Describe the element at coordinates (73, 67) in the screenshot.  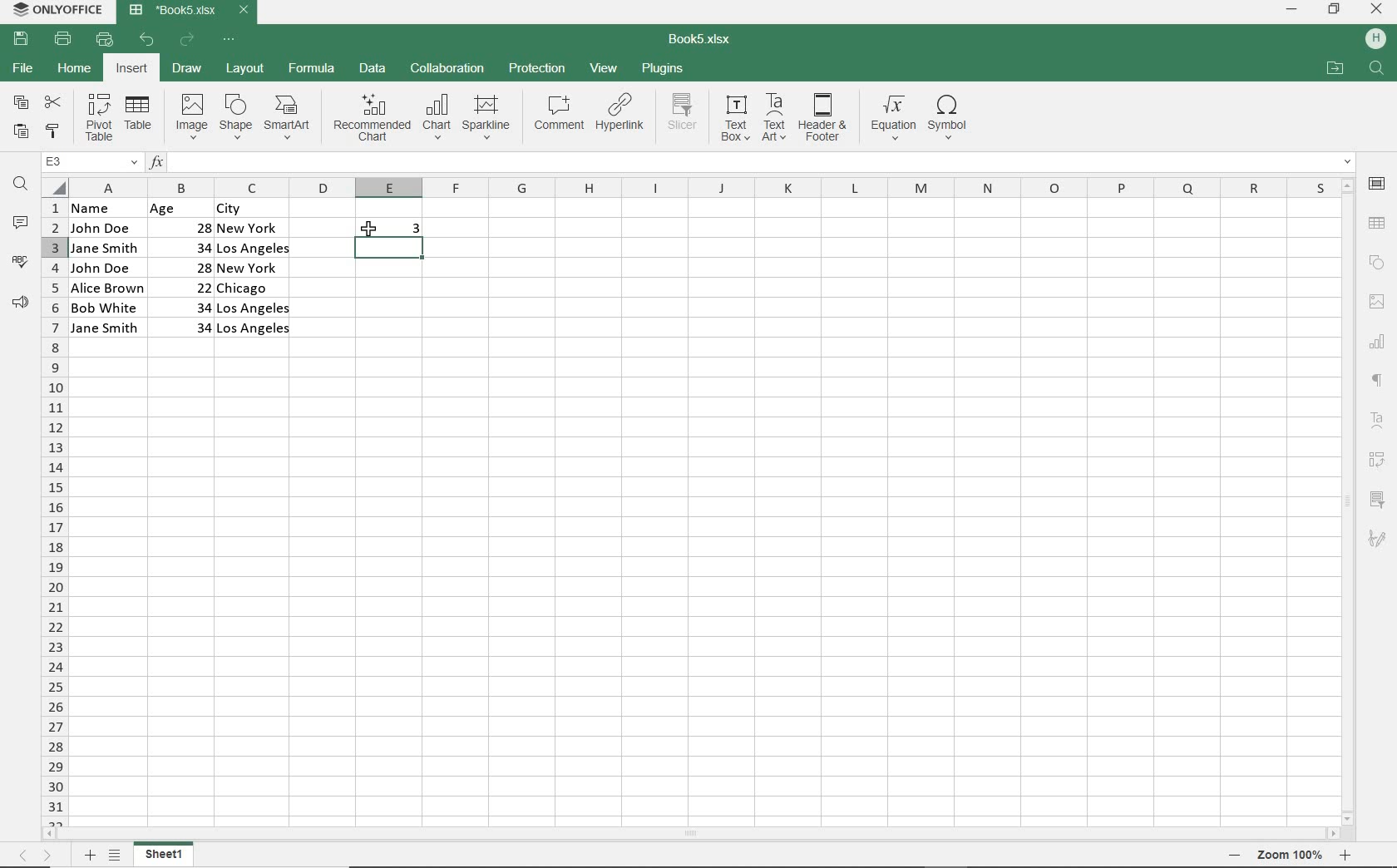
I see `HOME` at that location.